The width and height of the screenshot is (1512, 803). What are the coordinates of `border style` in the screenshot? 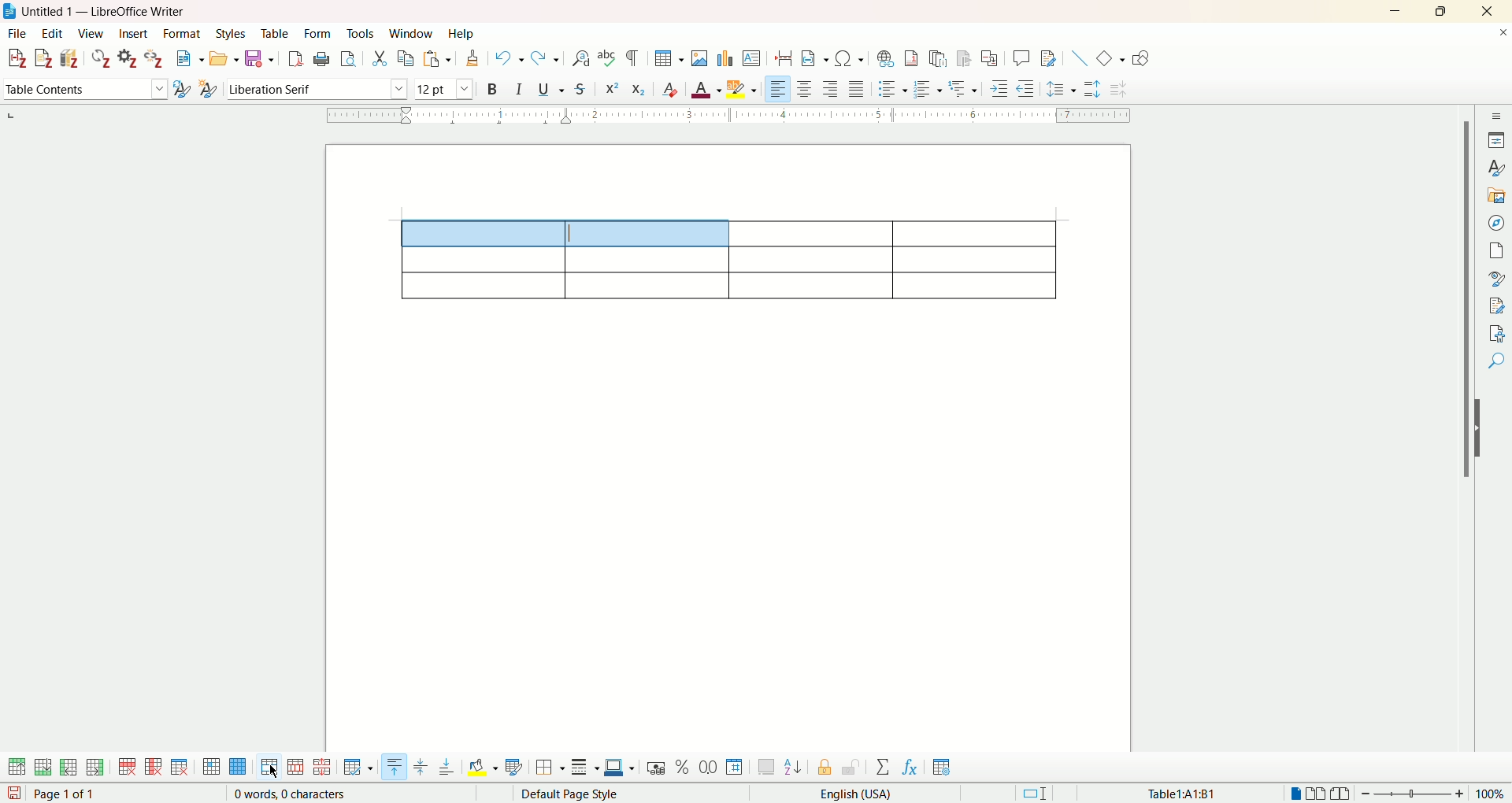 It's located at (588, 769).